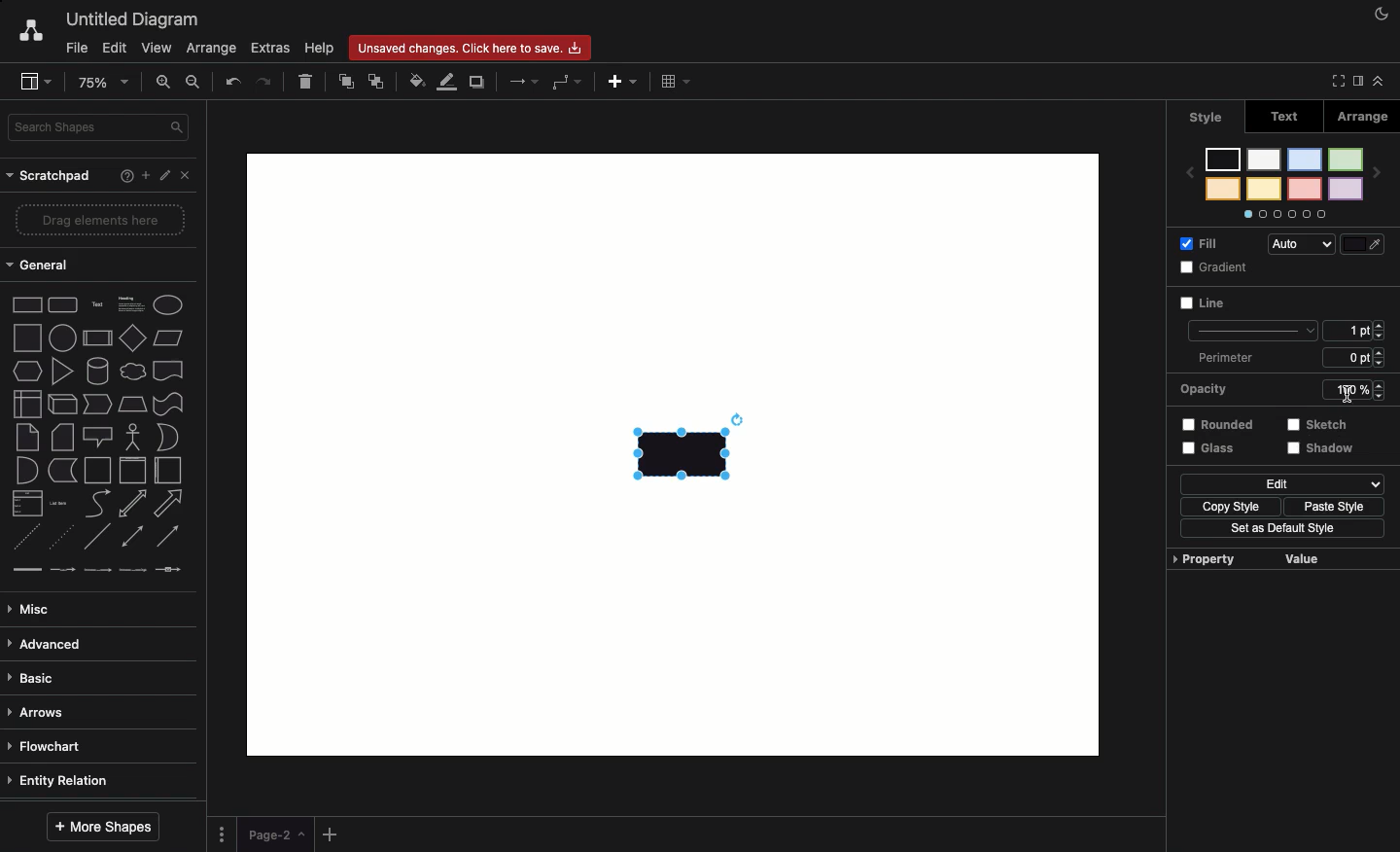  I want to click on Copy style, so click(1225, 505).